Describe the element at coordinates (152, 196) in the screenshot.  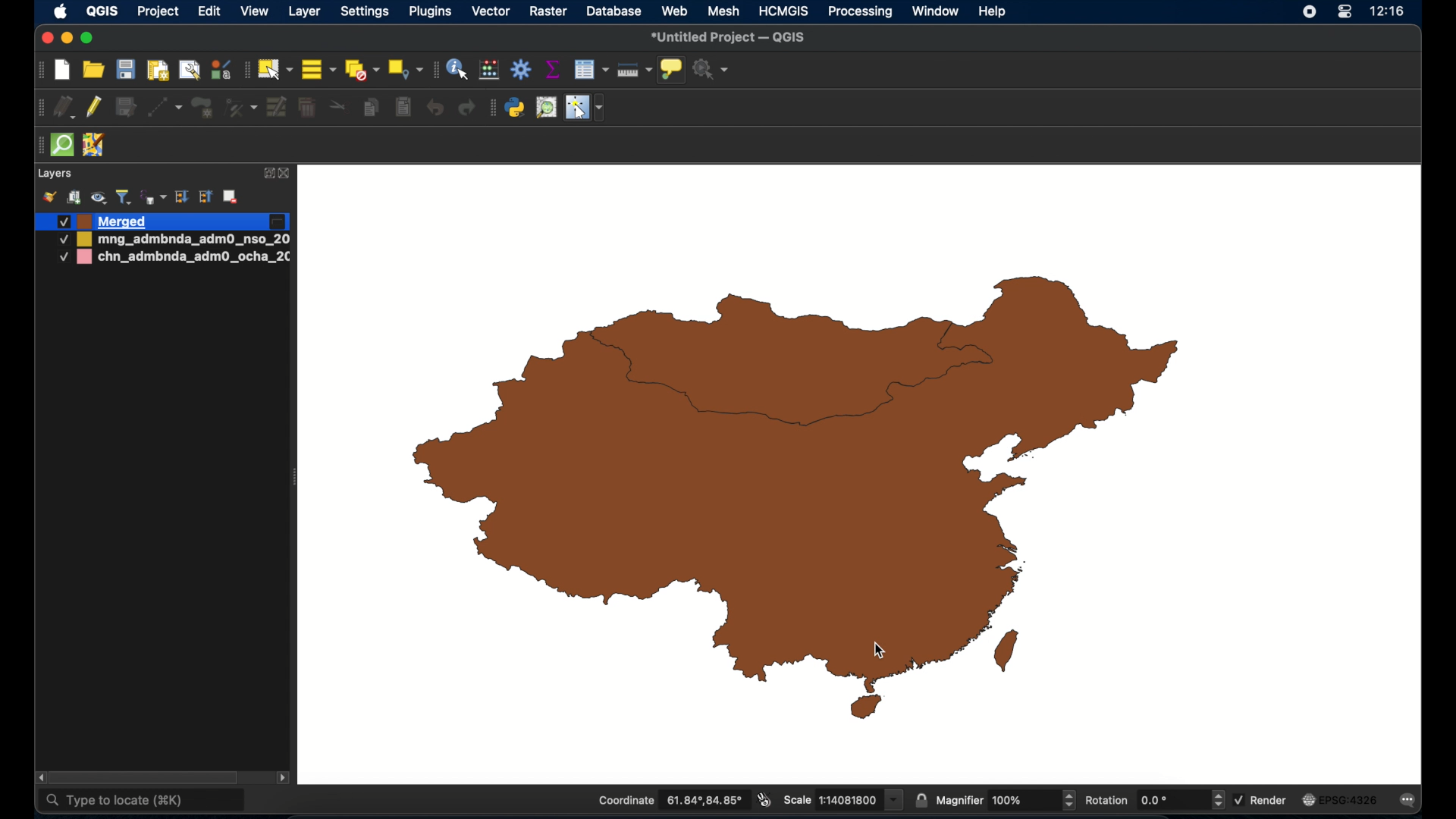
I see `filter legend by expression` at that location.